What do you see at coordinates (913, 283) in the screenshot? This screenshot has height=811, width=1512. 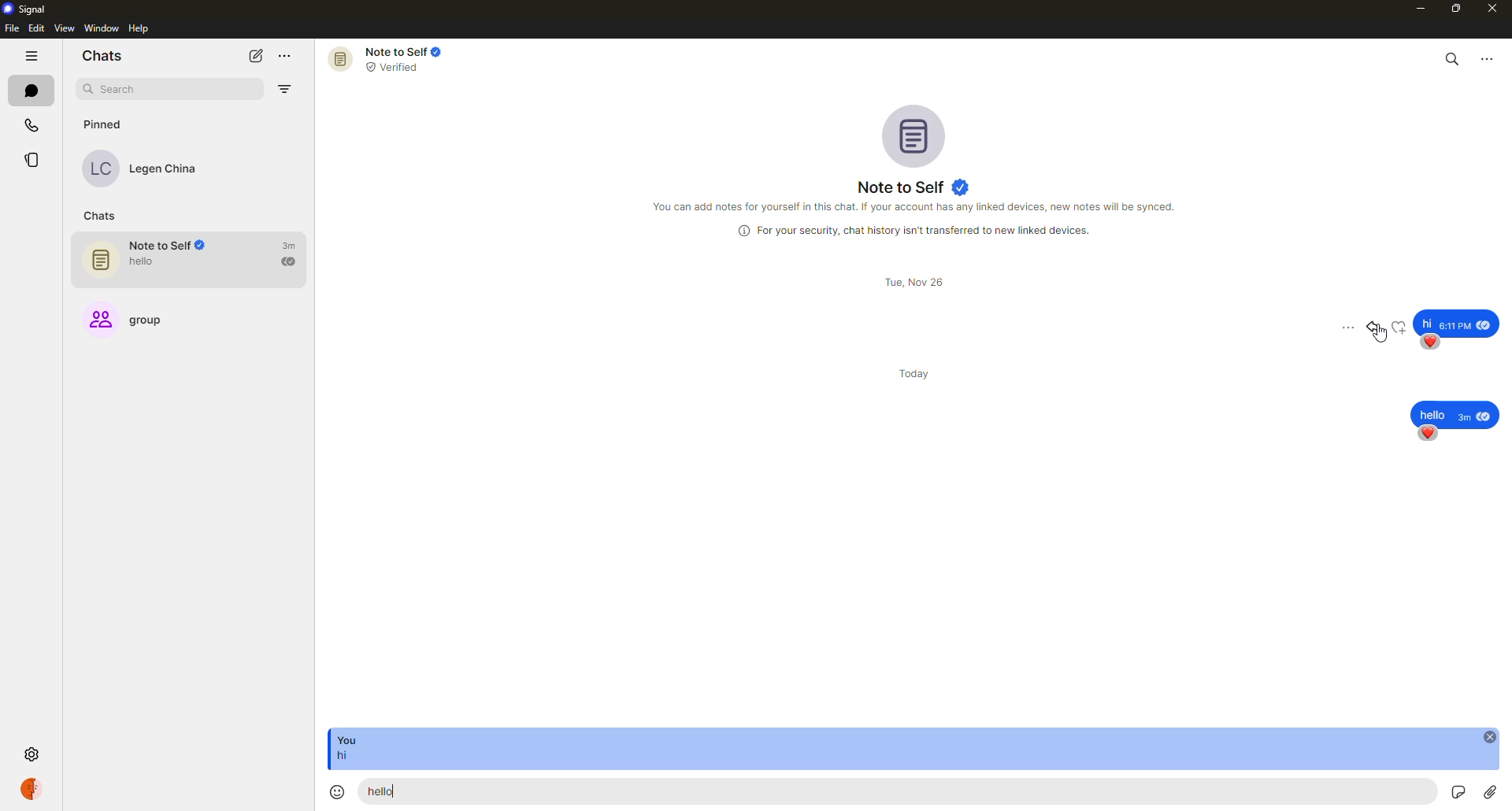 I see `day` at bounding box center [913, 283].